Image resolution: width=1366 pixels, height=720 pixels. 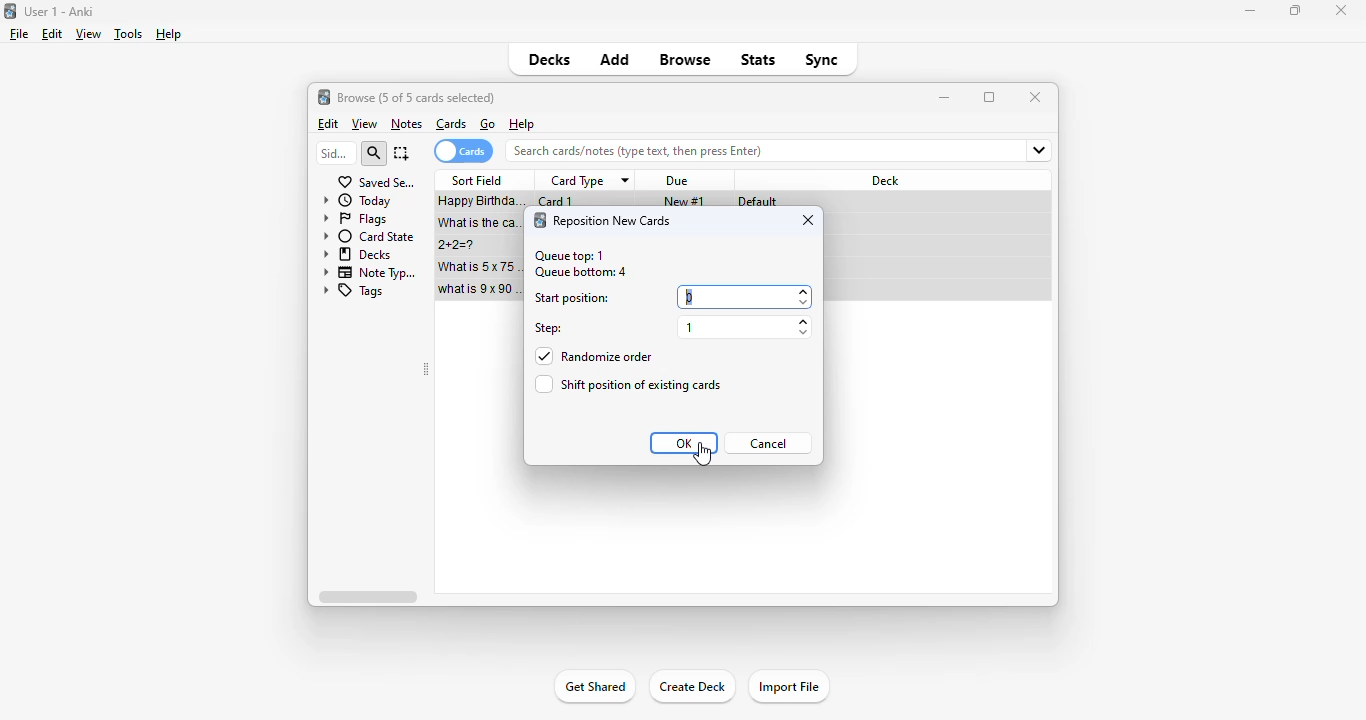 I want to click on logo, so click(x=323, y=97).